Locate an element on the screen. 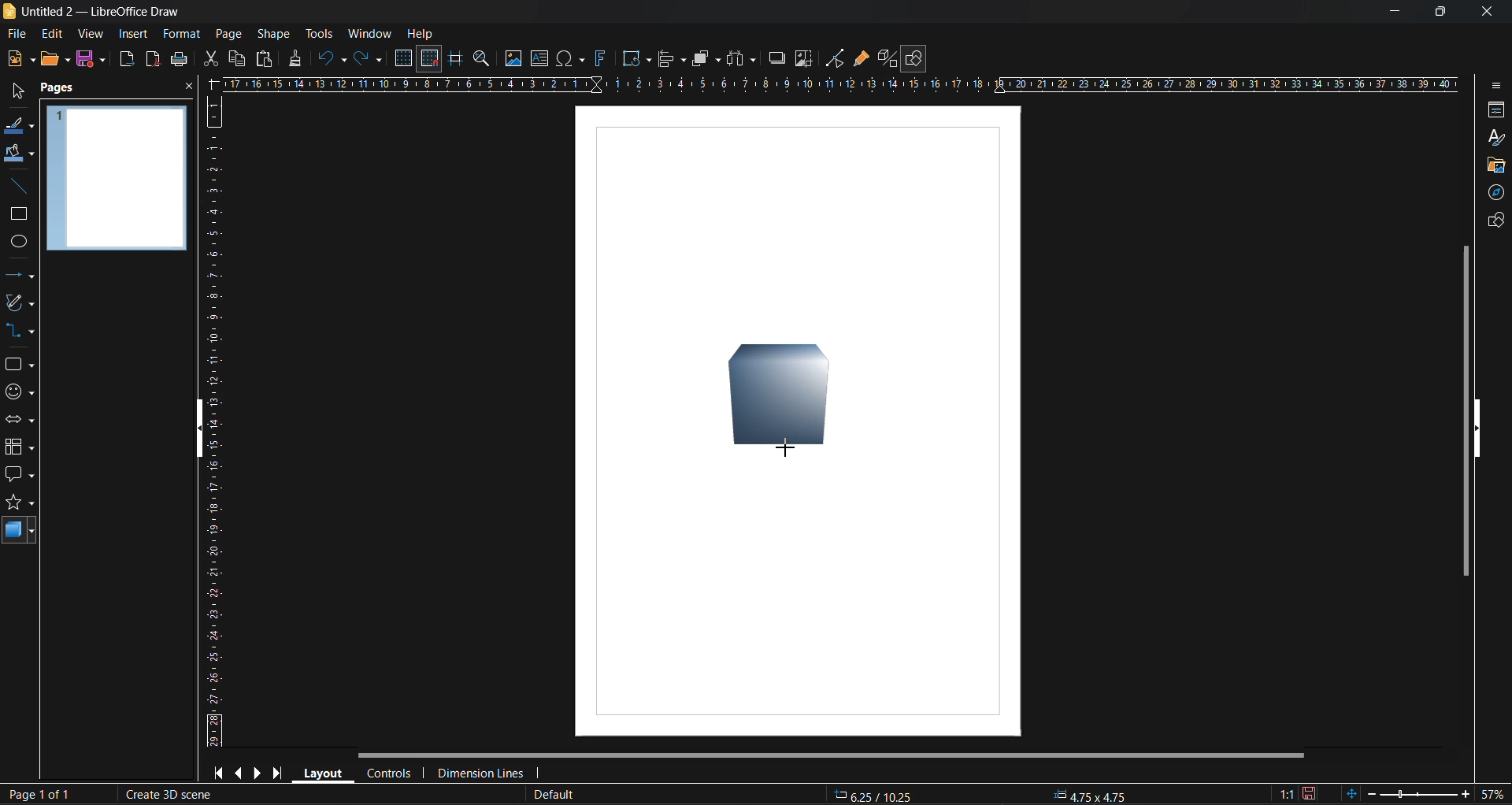  align objects is located at coordinates (670, 60).